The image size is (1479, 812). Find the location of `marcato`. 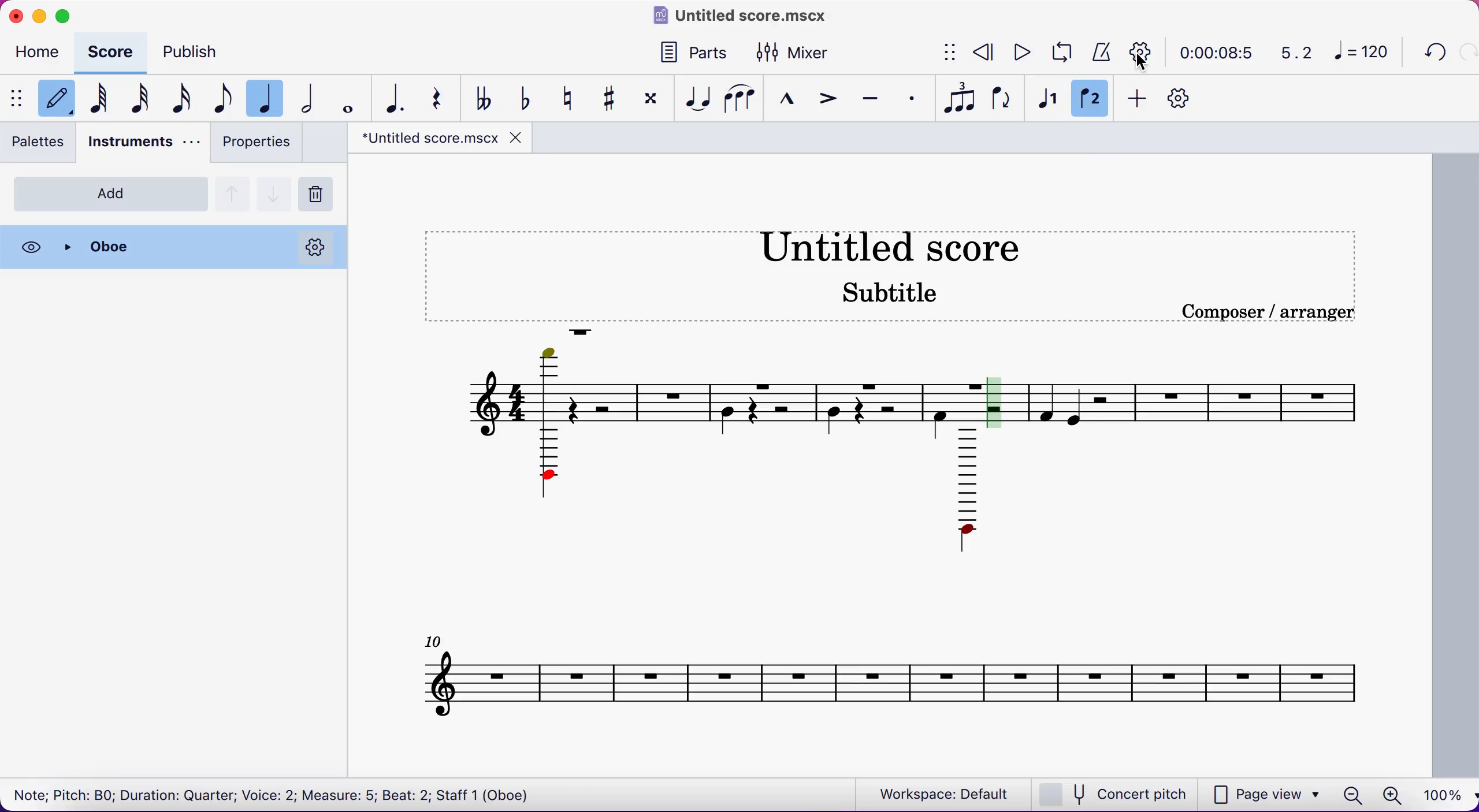

marcato is located at coordinates (789, 100).